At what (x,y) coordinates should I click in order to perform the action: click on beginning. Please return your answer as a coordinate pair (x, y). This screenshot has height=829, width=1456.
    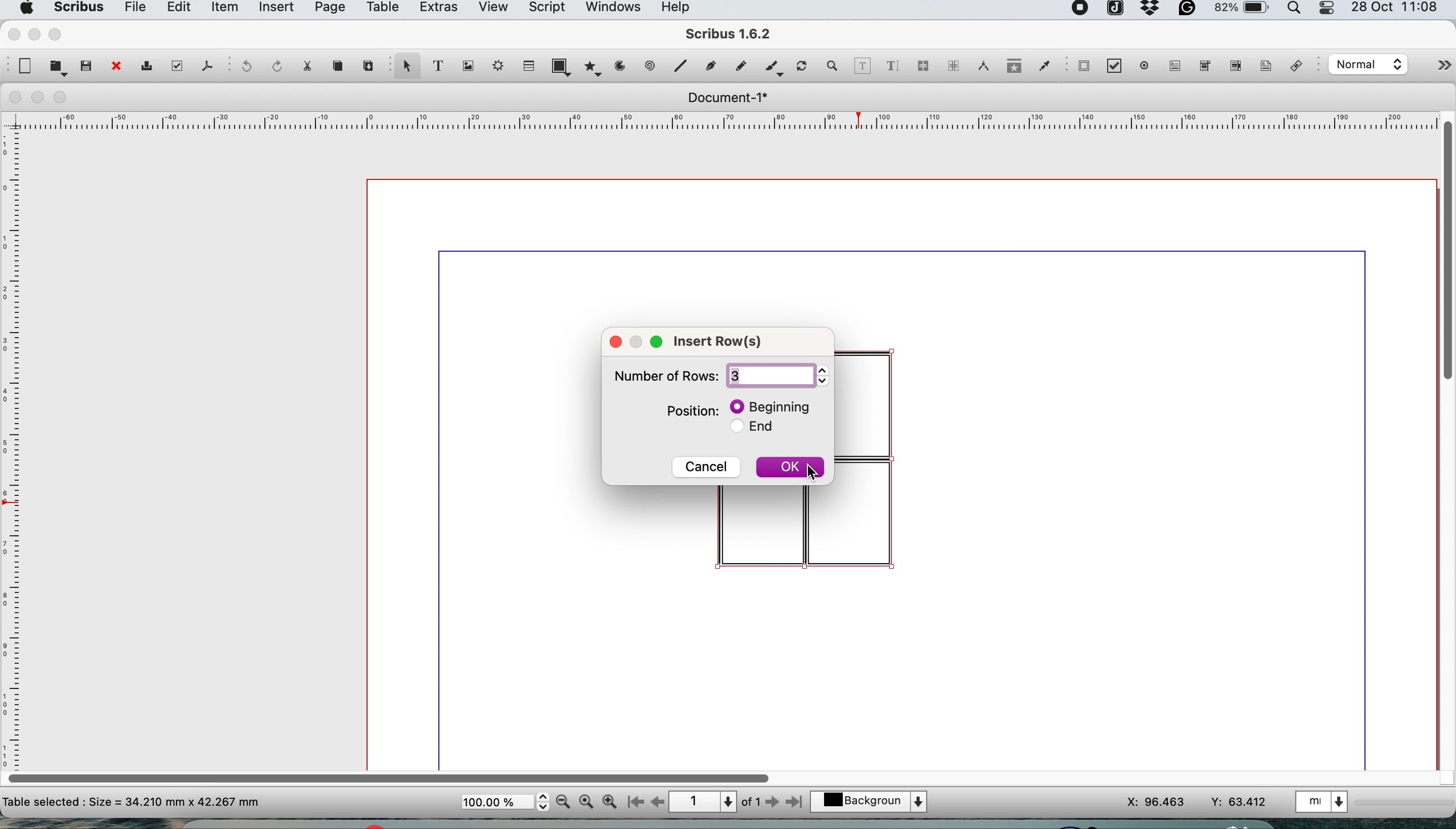
    Looking at the image, I should click on (773, 406).